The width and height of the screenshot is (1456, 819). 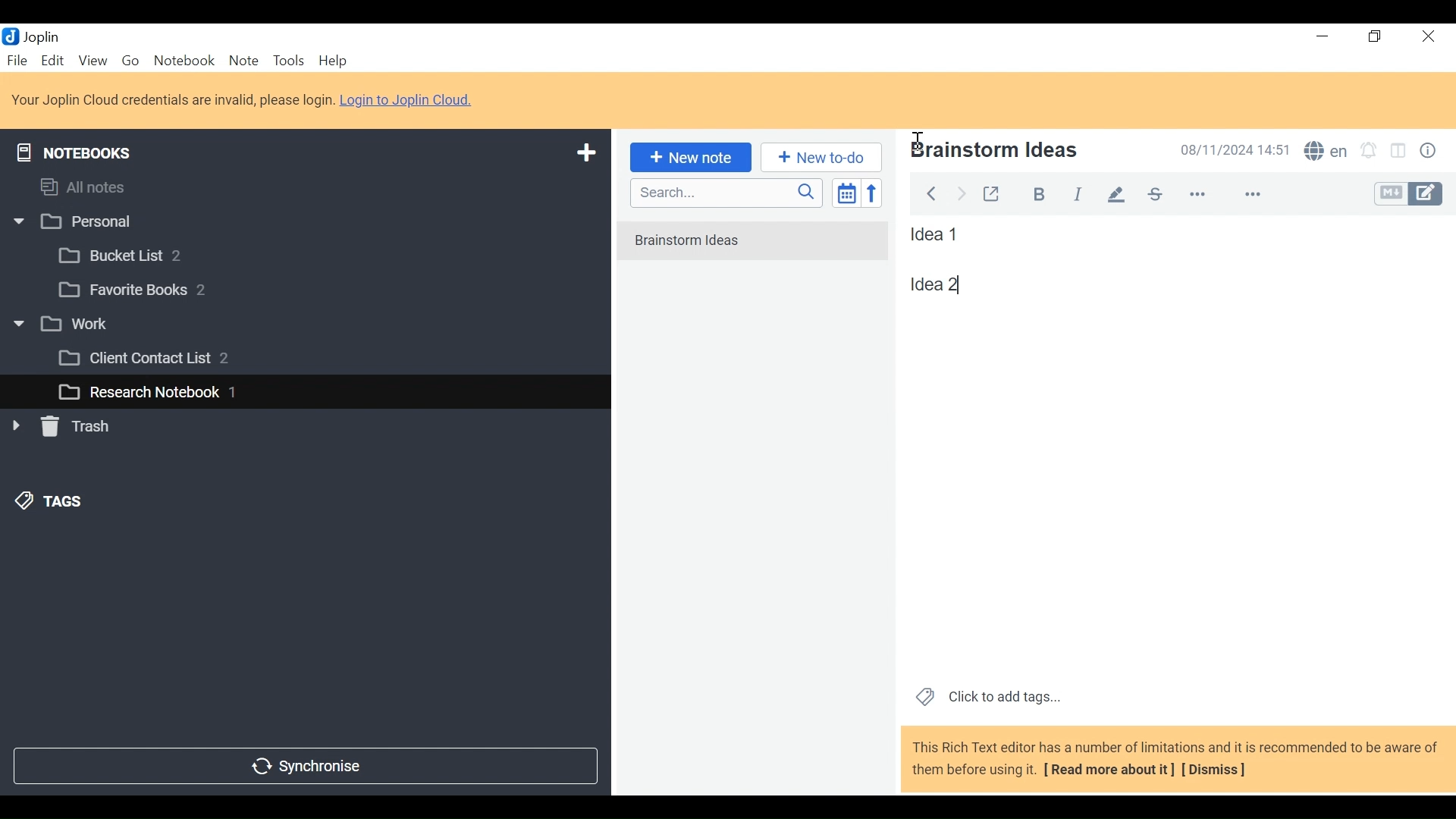 What do you see at coordinates (85, 149) in the screenshot?
I see `Notebooks` at bounding box center [85, 149].